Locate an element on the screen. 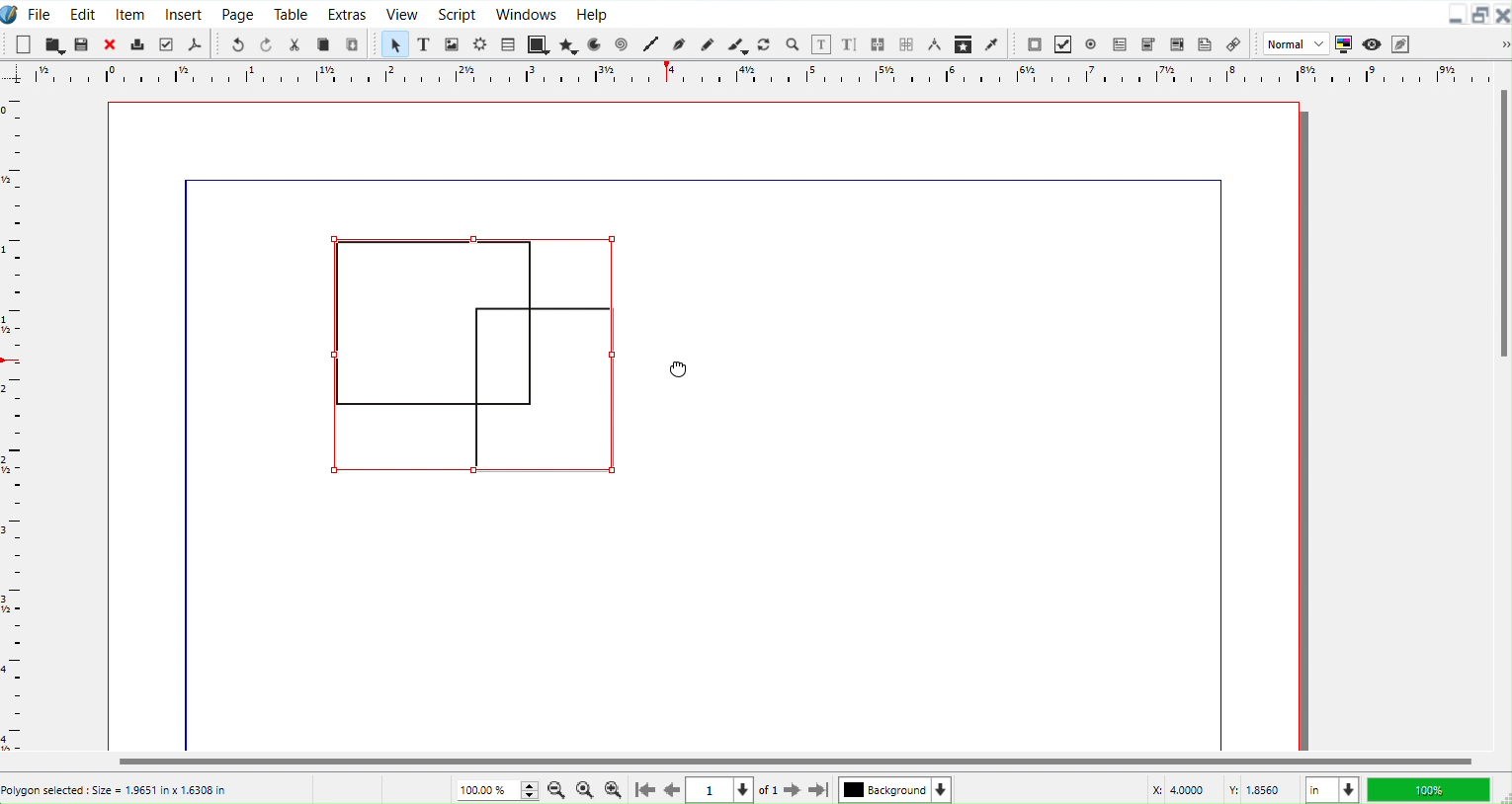 The image size is (1512, 804). Normal is located at coordinates (1294, 43).